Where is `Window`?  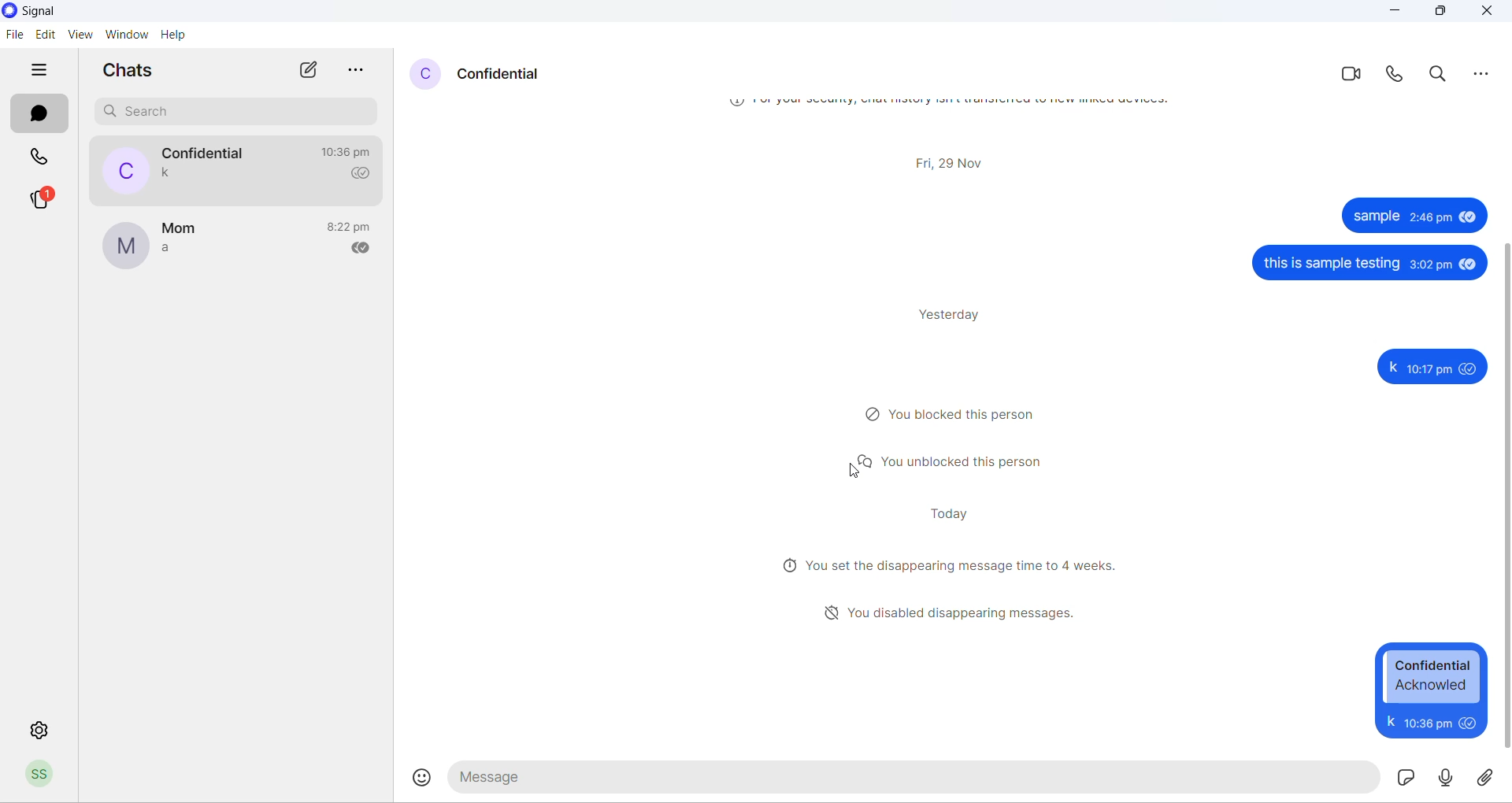 Window is located at coordinates (126, 35).